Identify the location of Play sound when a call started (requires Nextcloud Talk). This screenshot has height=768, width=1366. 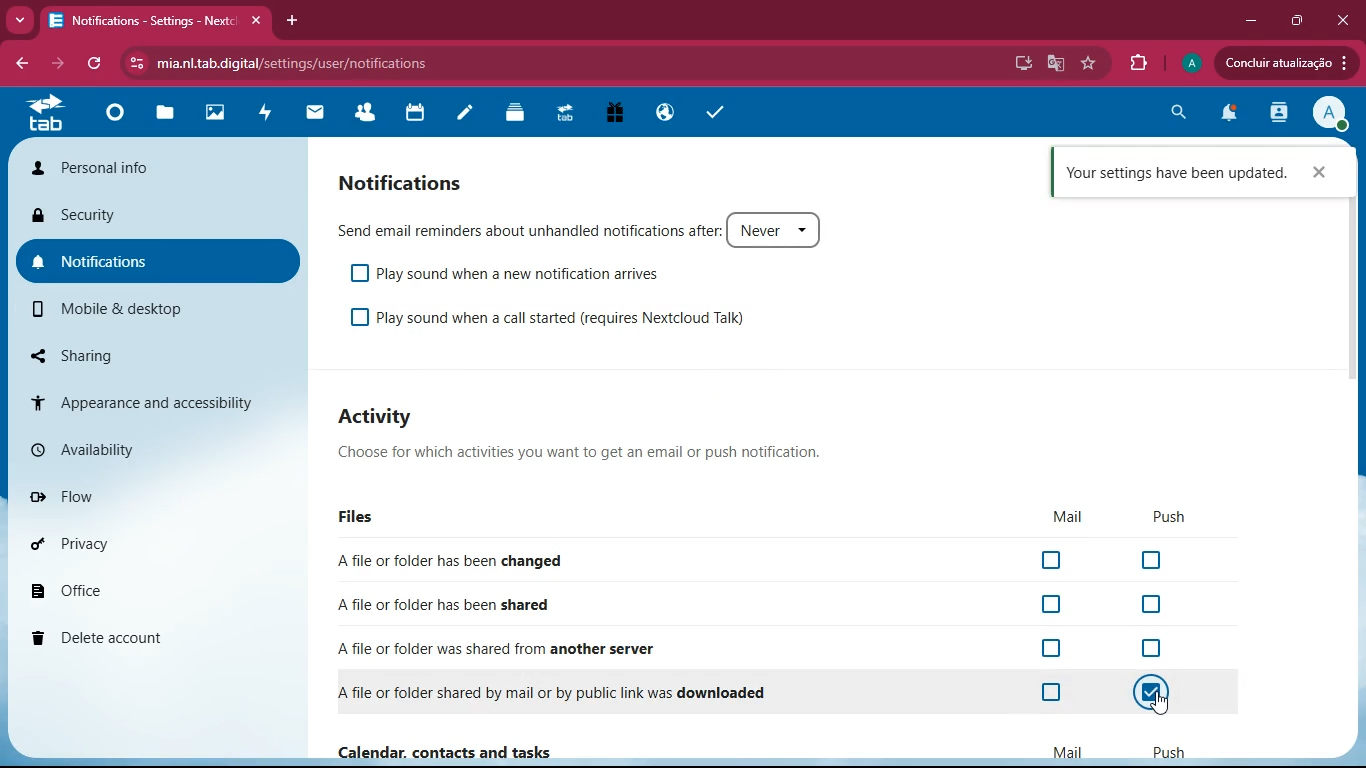
(548, 319).